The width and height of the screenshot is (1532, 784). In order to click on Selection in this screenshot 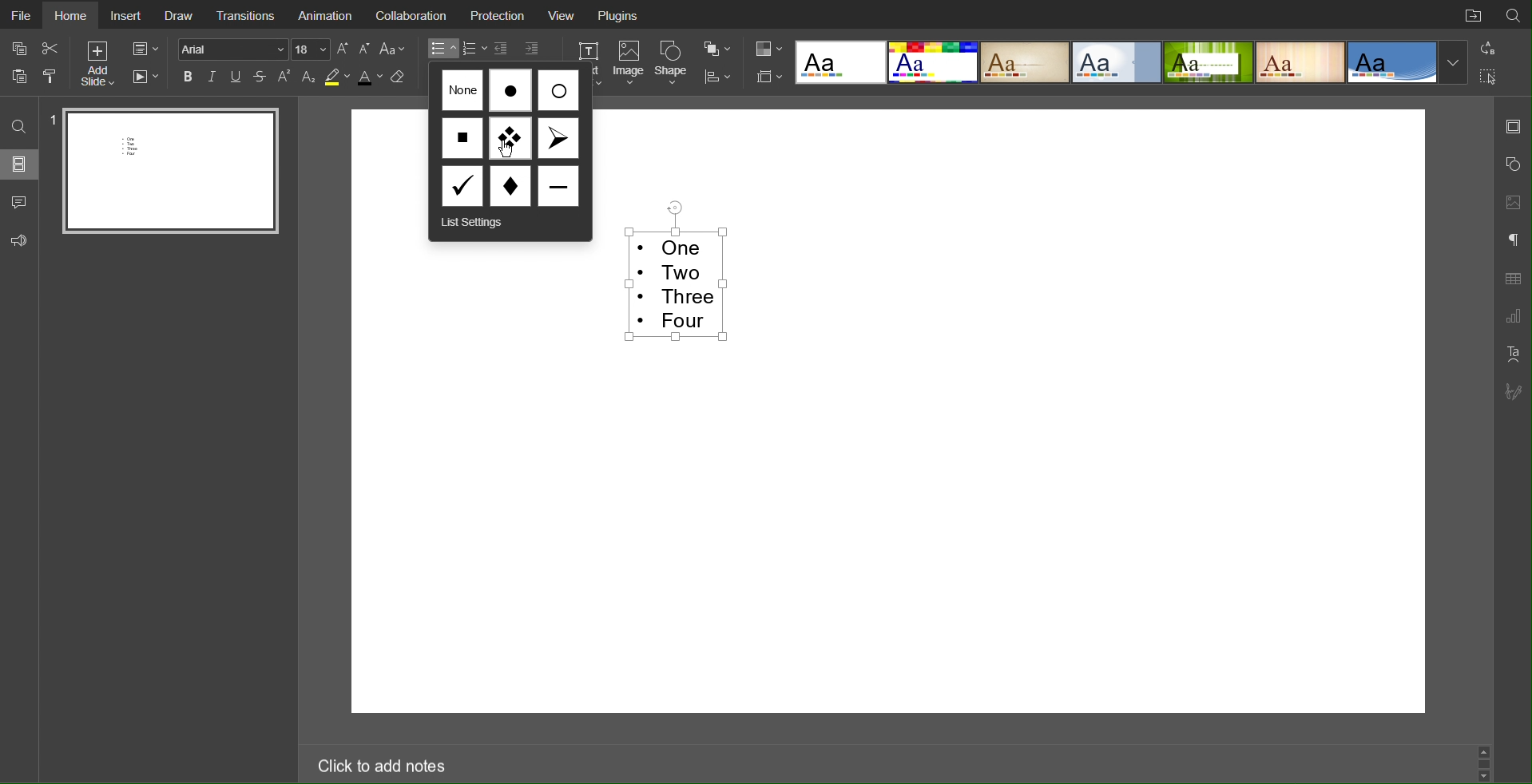, I will do `click(1486, 75)`.